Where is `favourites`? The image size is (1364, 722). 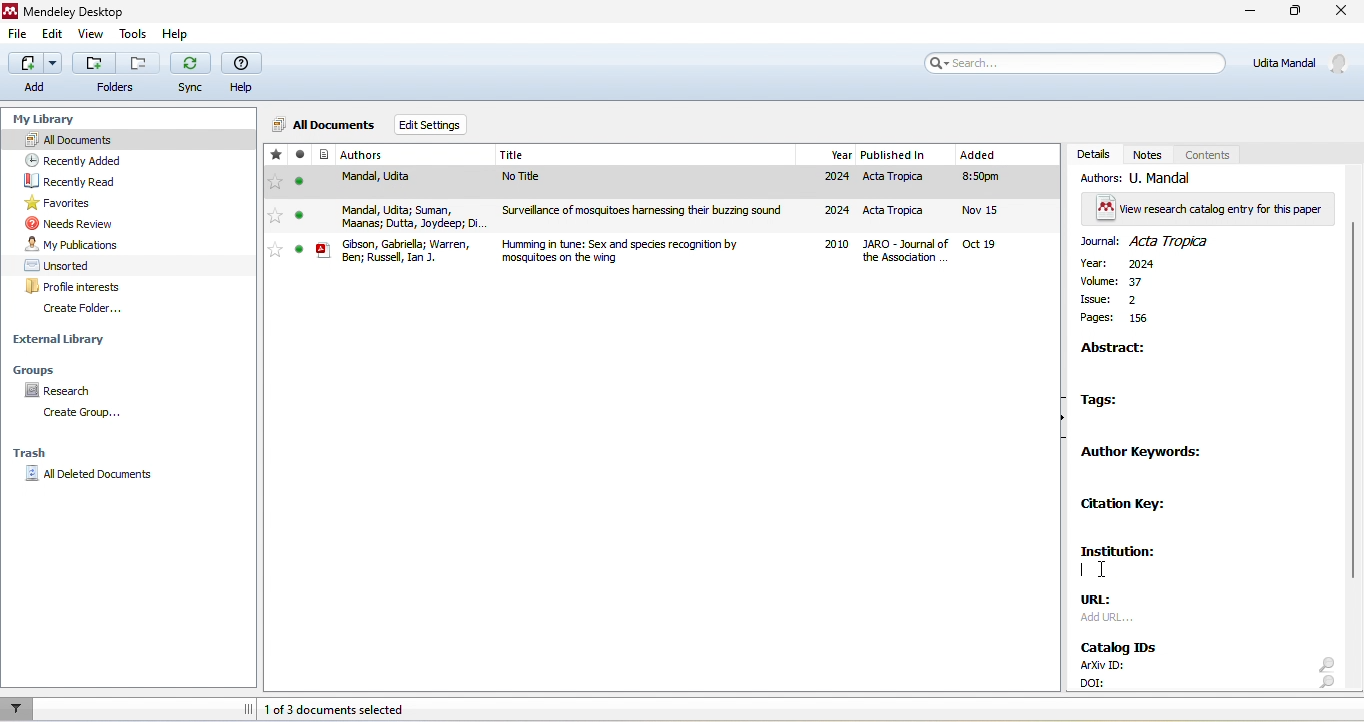 favourites is located at coordinates (65, 203).